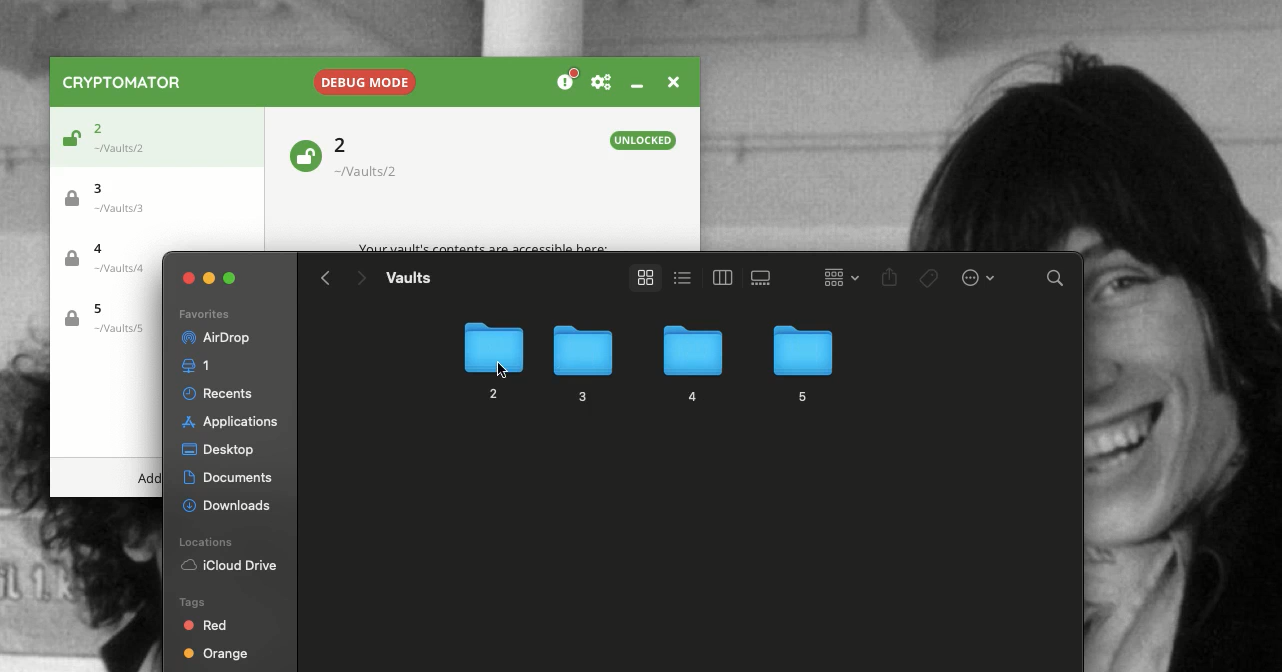 The height and width of the screenshot is (672, 1282). I want to click on Vault 3, so click(114, 196).